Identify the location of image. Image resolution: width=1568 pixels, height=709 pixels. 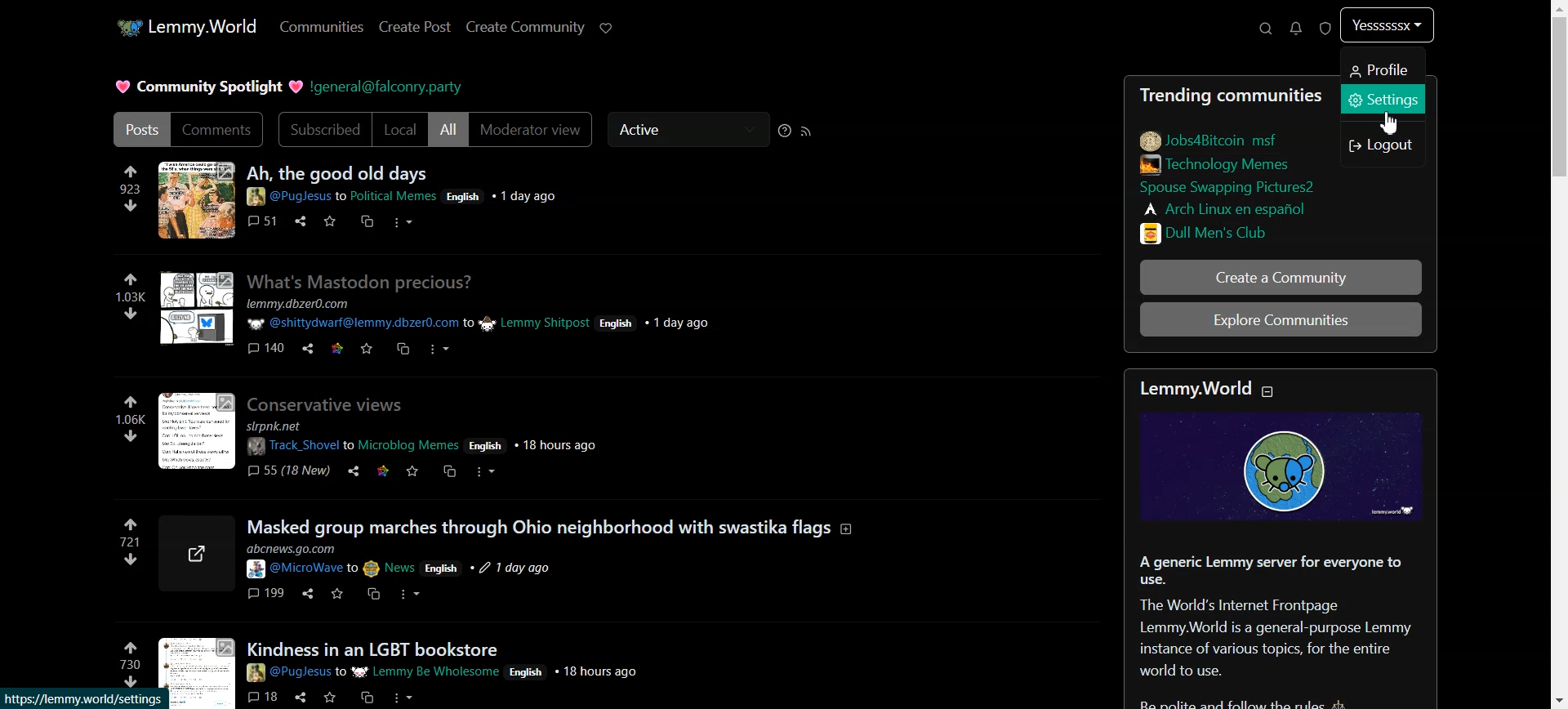
(197, 430).